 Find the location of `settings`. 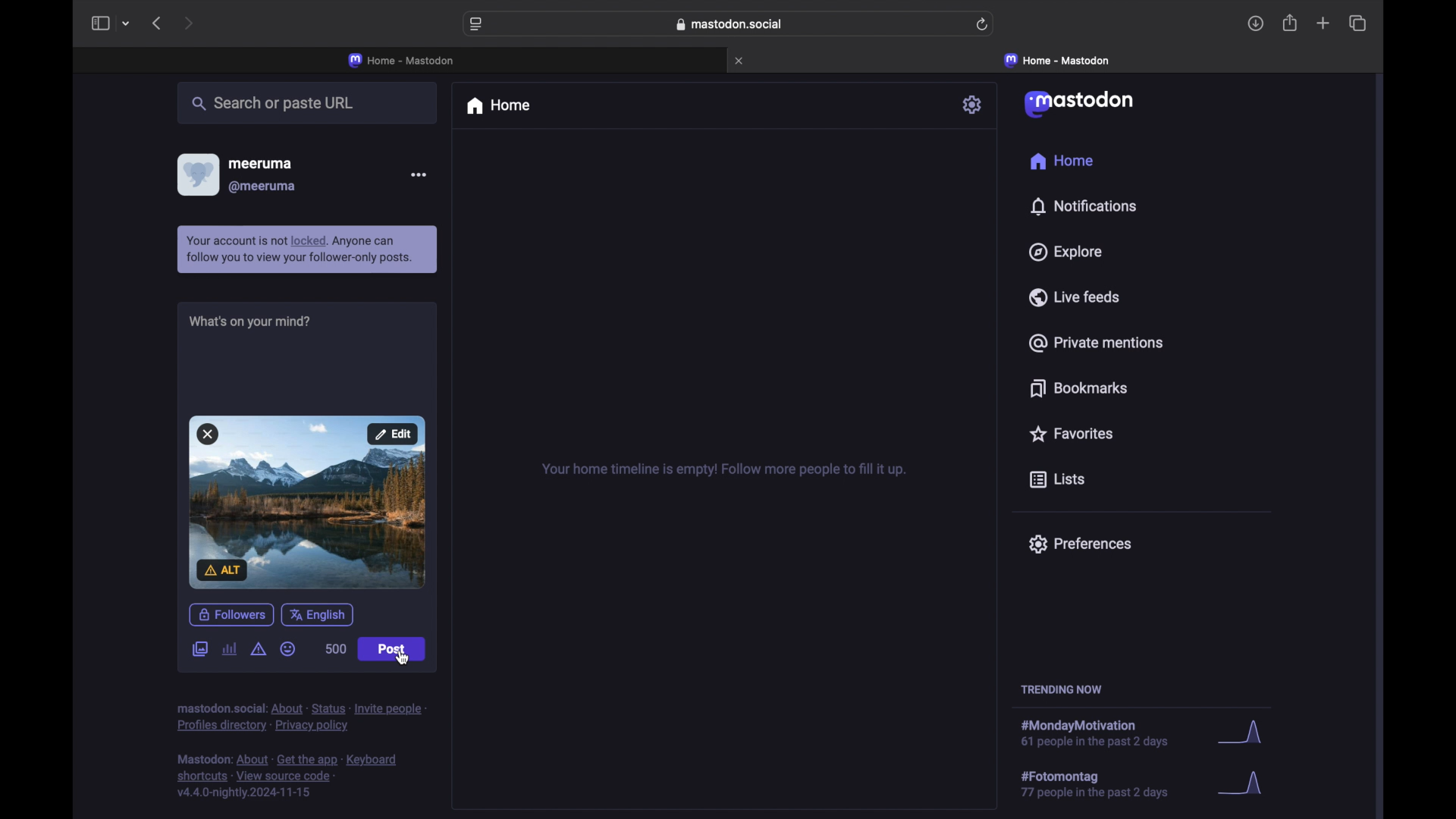

settings is located at coordinates (974, 105).